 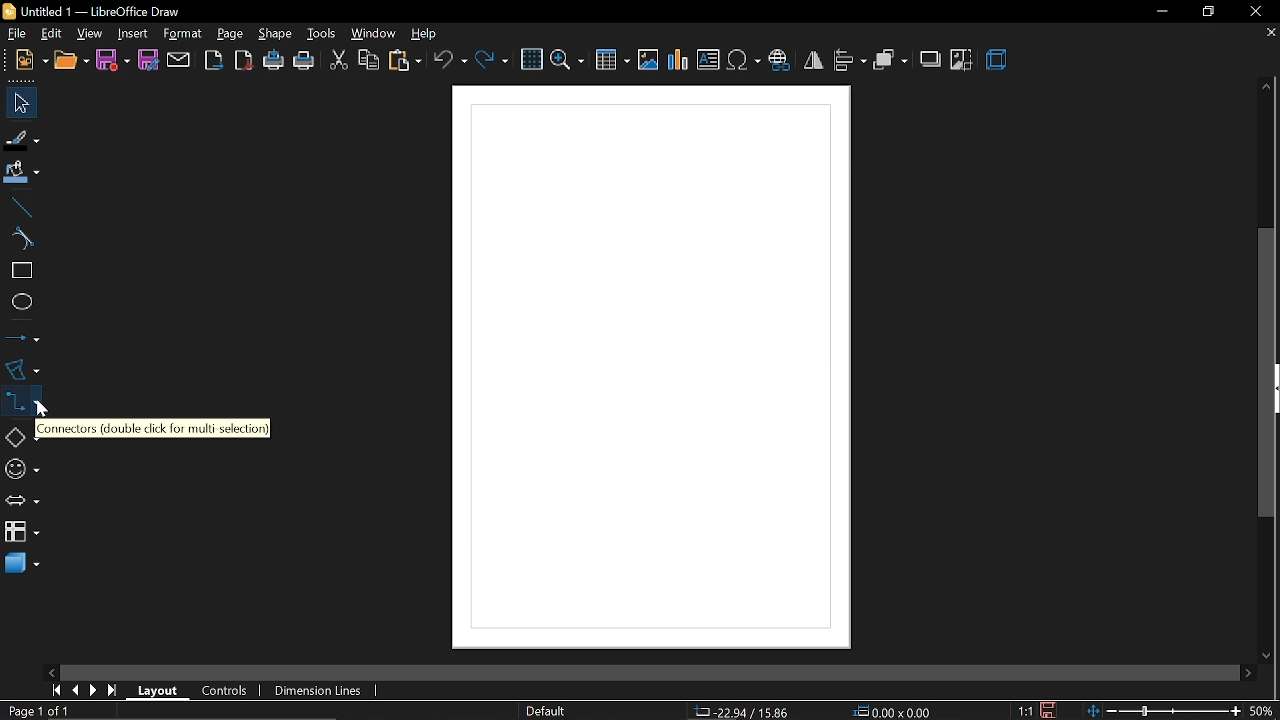 What do you see at coordinates (850, 62) in the screenshot?
I see `align` at bounding box center [850, 62].